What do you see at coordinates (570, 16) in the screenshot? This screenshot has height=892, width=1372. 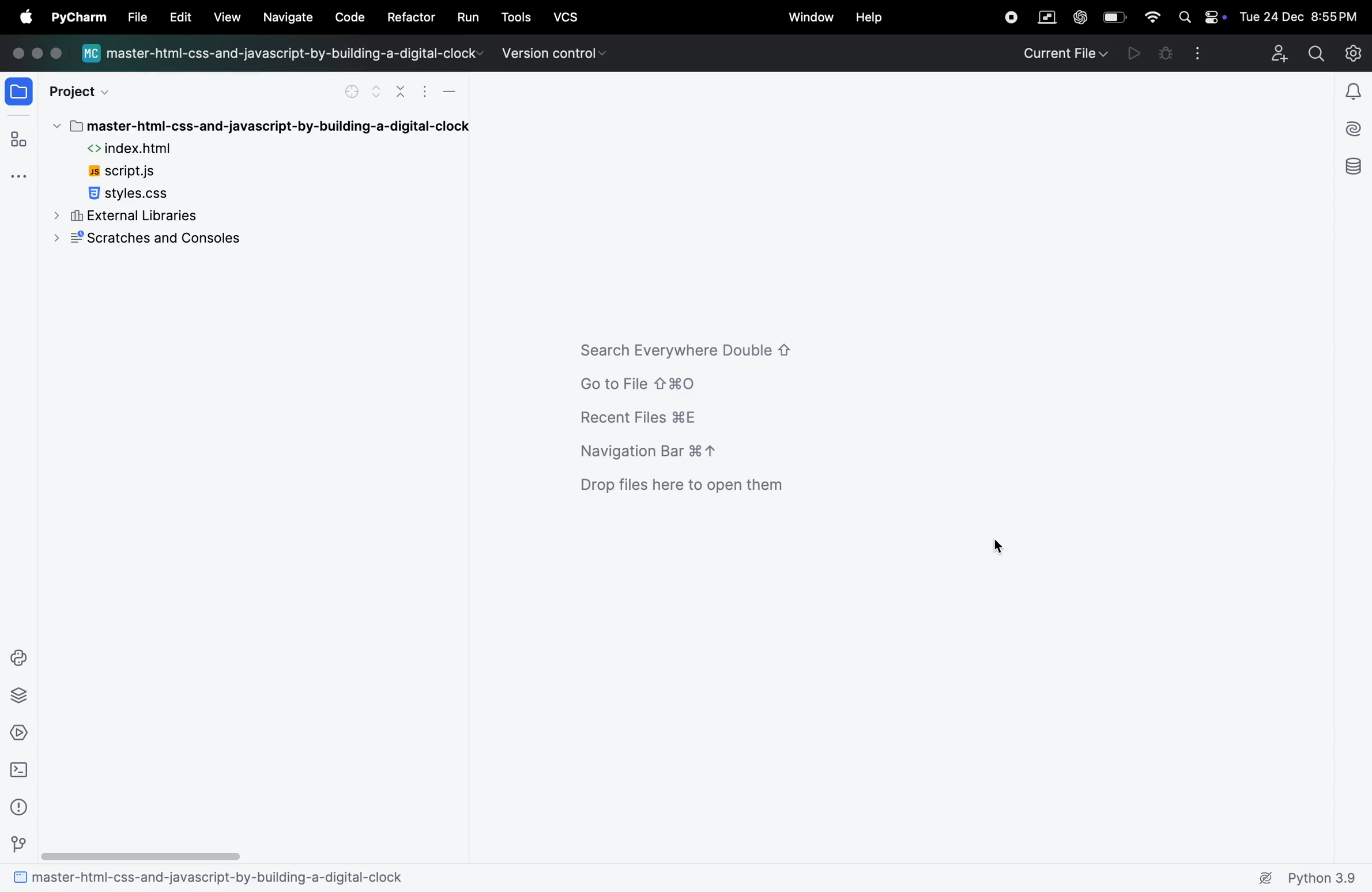 I see `vcs` at bounding box center [570, 16].